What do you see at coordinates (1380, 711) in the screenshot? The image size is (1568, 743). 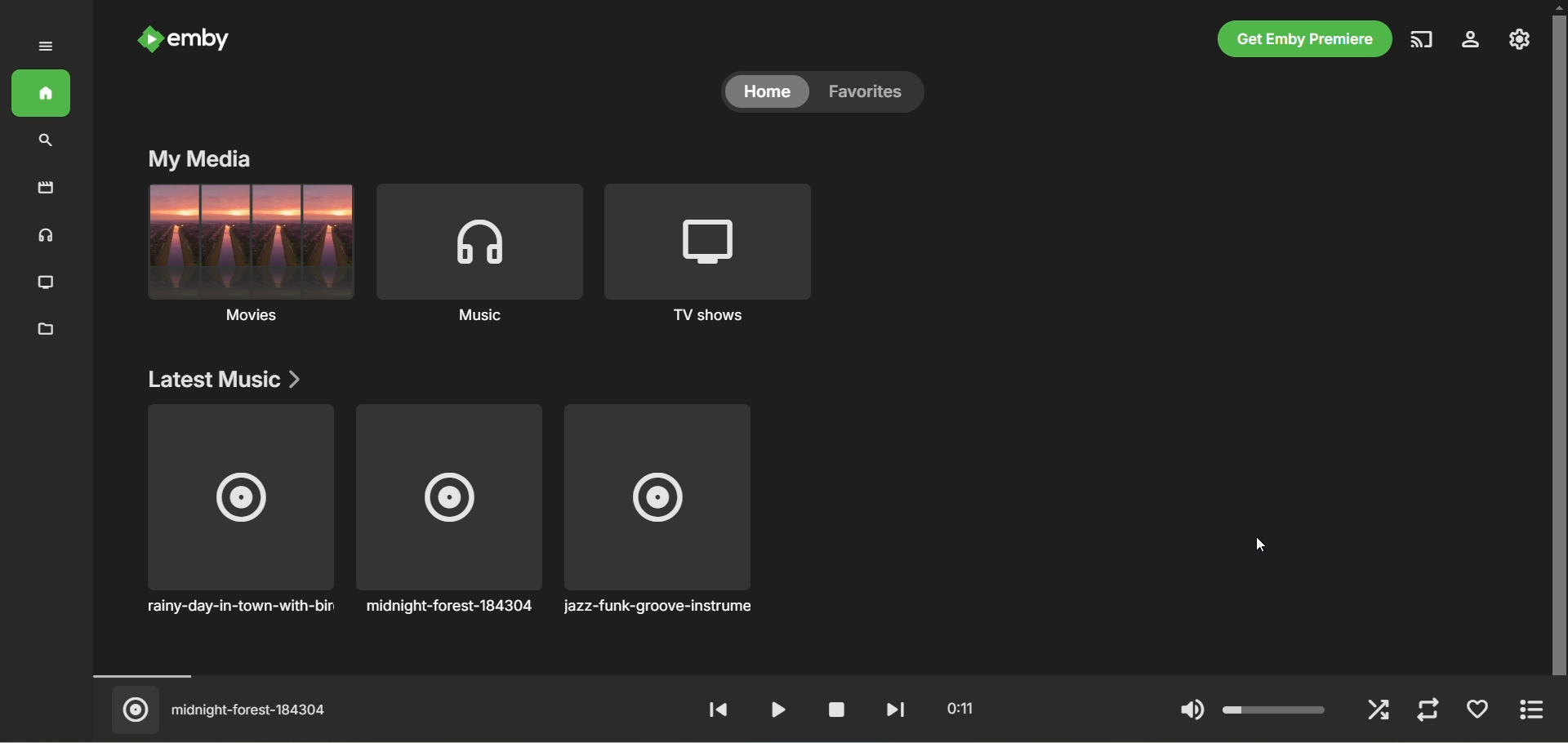 I see `shuffle` at bounding box center [1380, 711].